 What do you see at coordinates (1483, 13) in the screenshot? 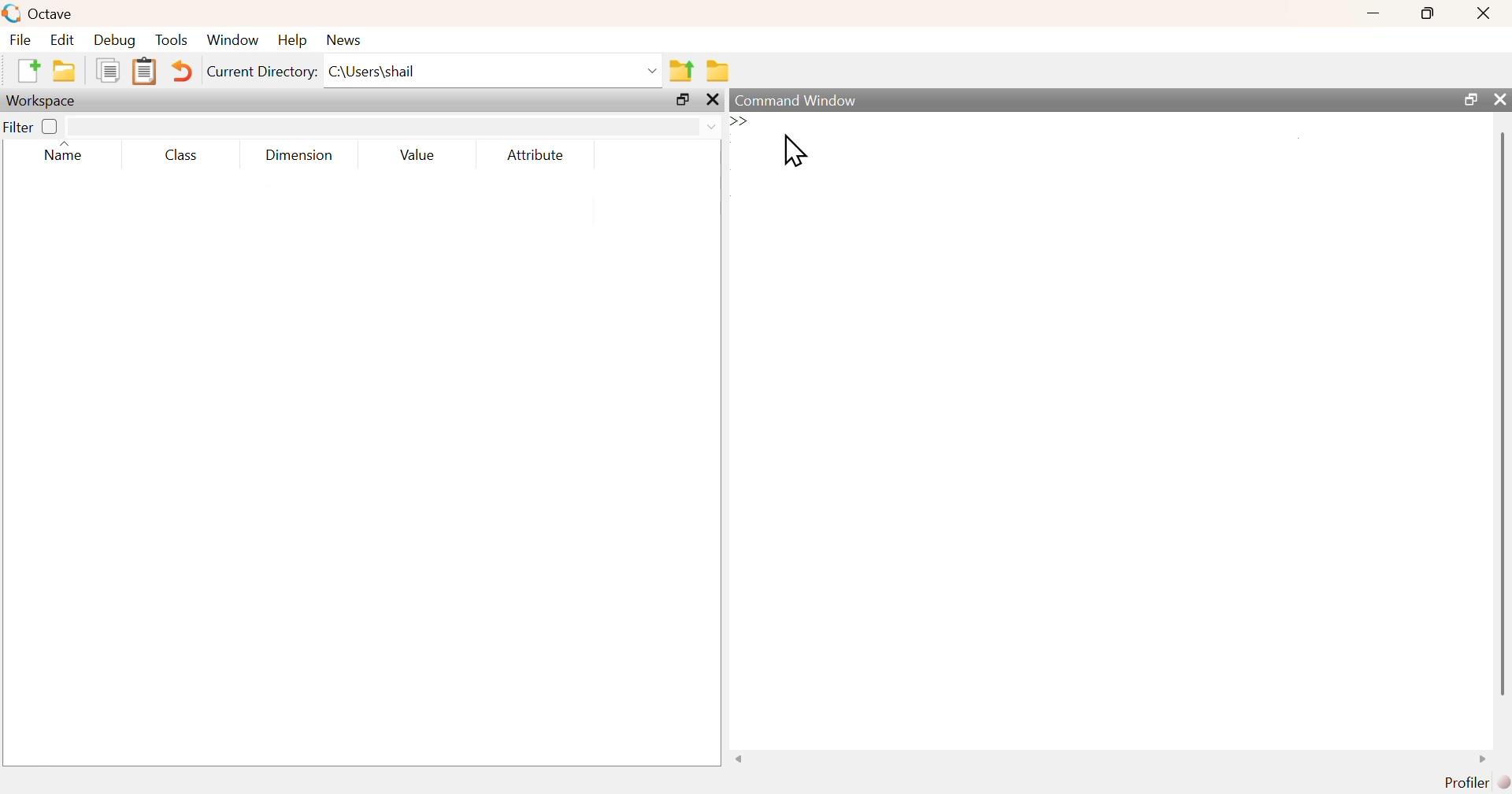
I see `close` at bounding box center [1483, 13].